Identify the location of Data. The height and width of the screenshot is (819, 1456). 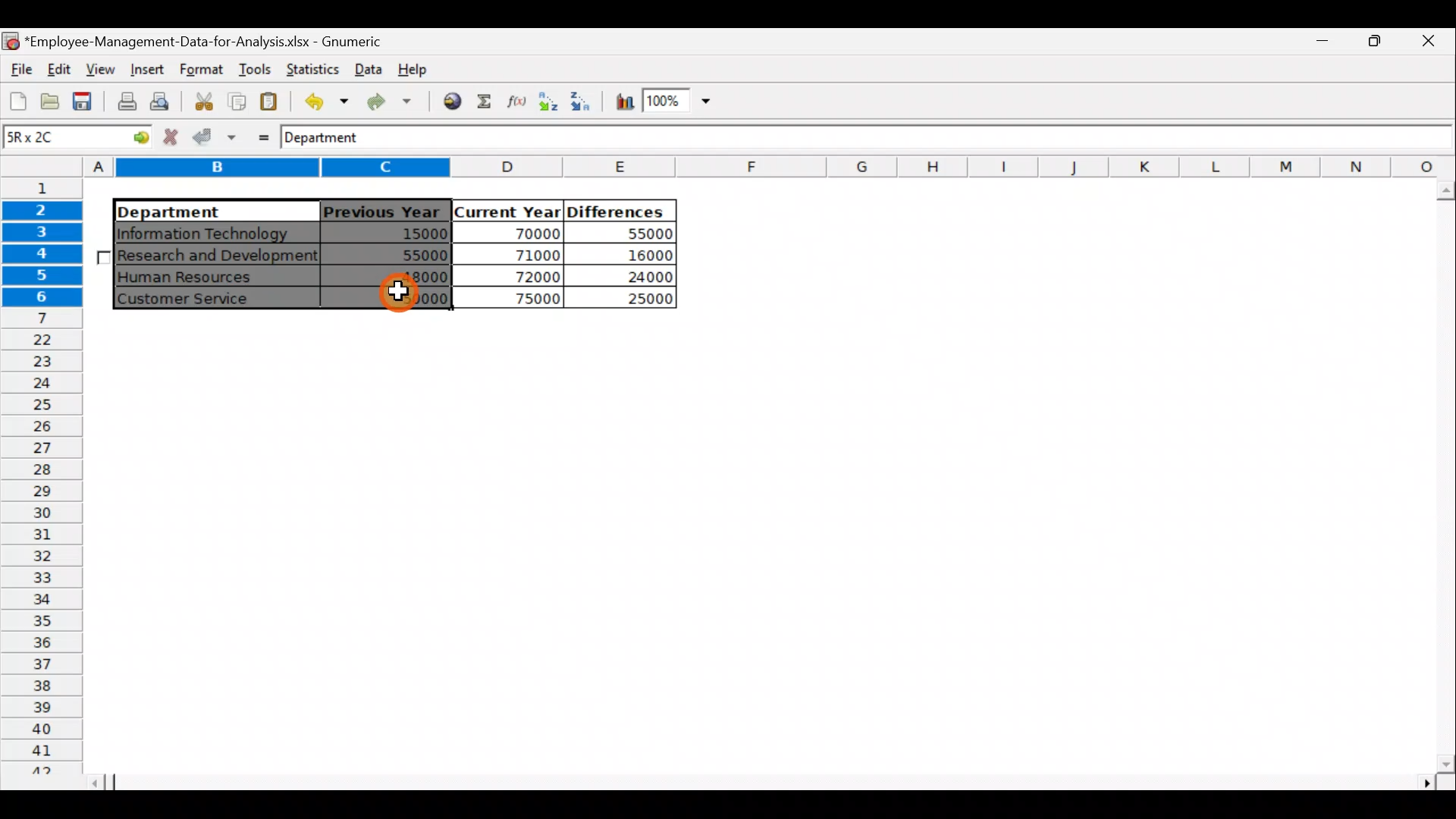
(368, 67).